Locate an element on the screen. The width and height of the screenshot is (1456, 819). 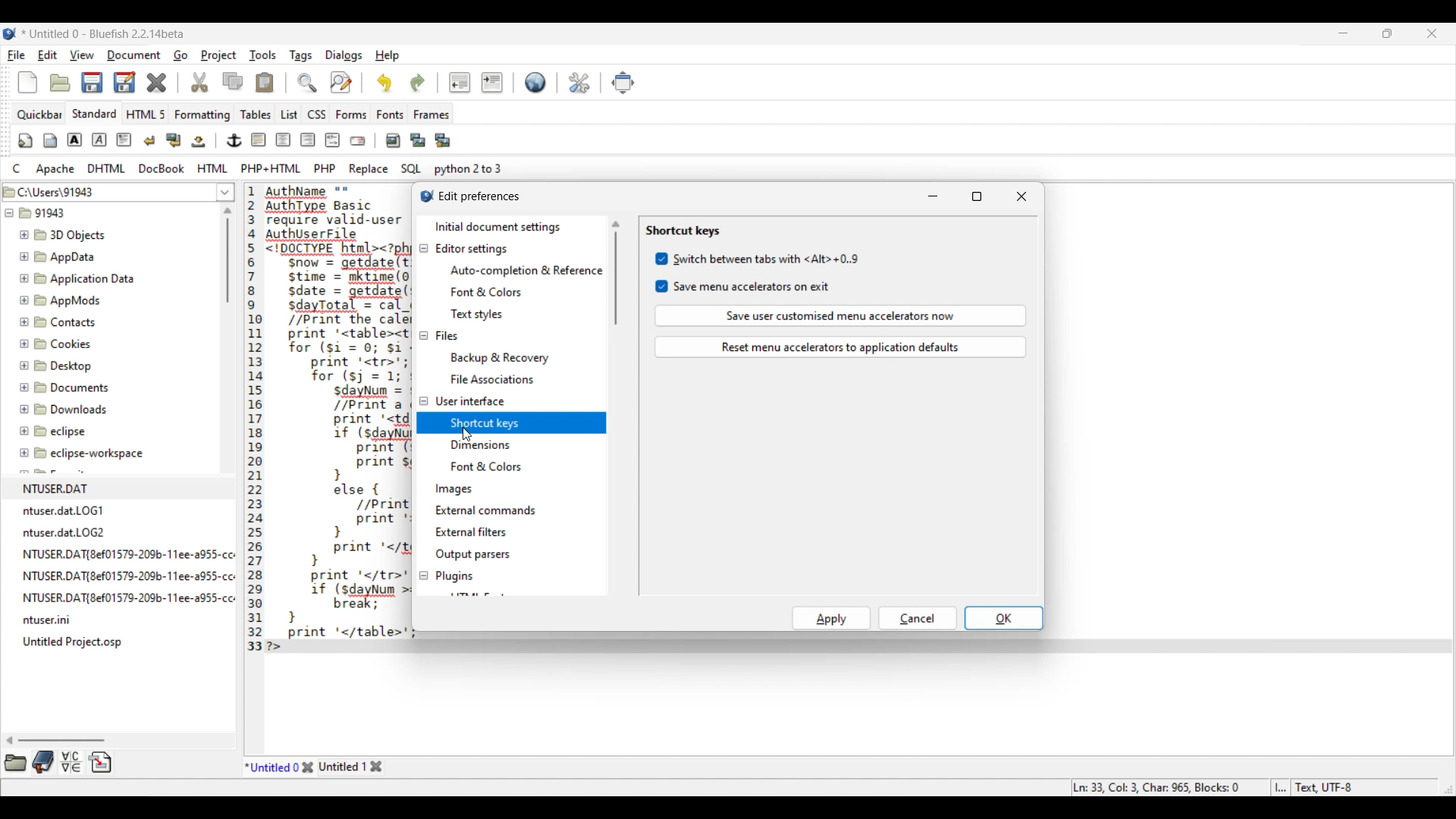
HTML 5 menu is located at coordinates (145, 115).